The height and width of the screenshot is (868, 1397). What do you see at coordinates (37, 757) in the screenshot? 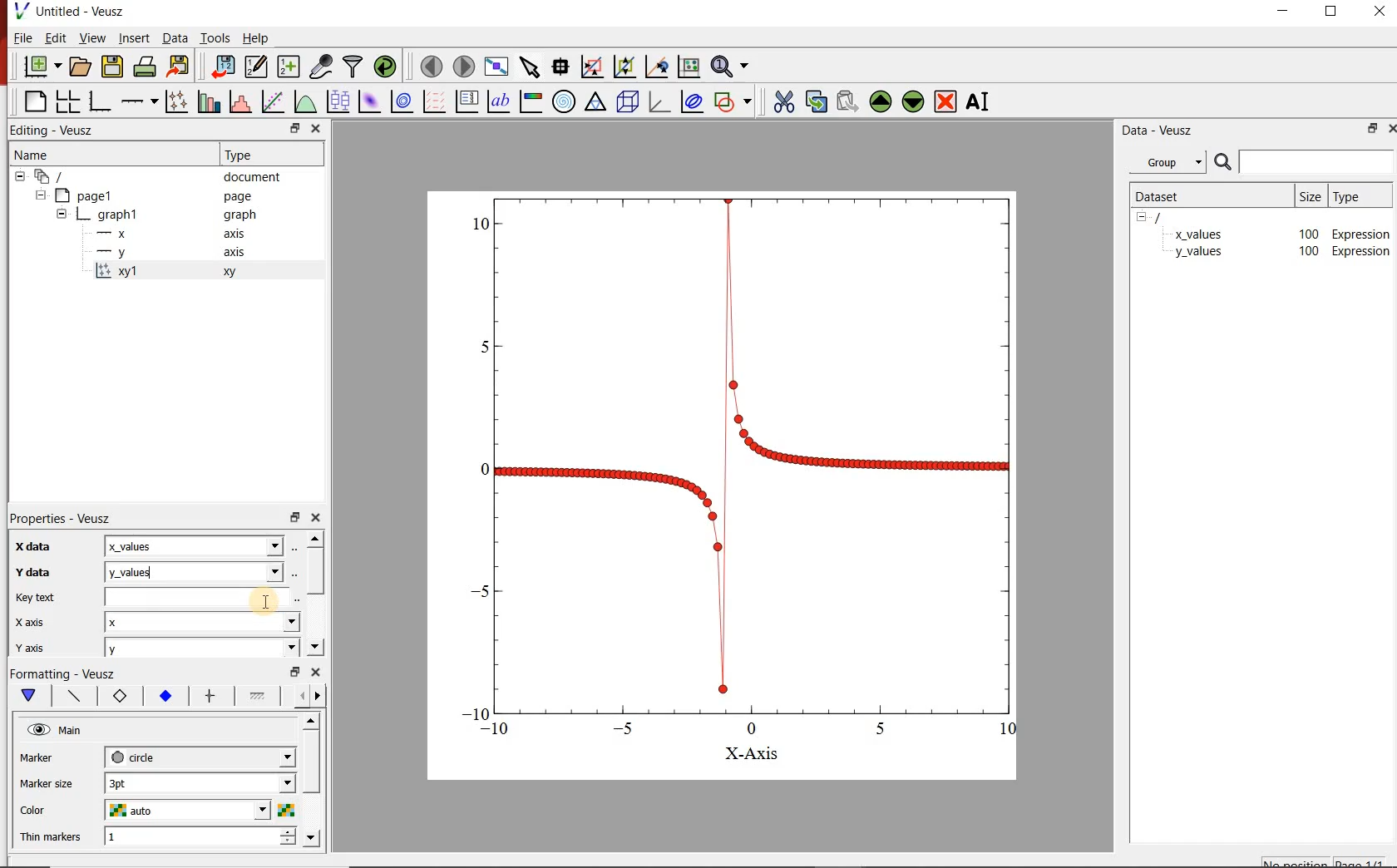
I see `Marker` at bounding box center [37, 757].